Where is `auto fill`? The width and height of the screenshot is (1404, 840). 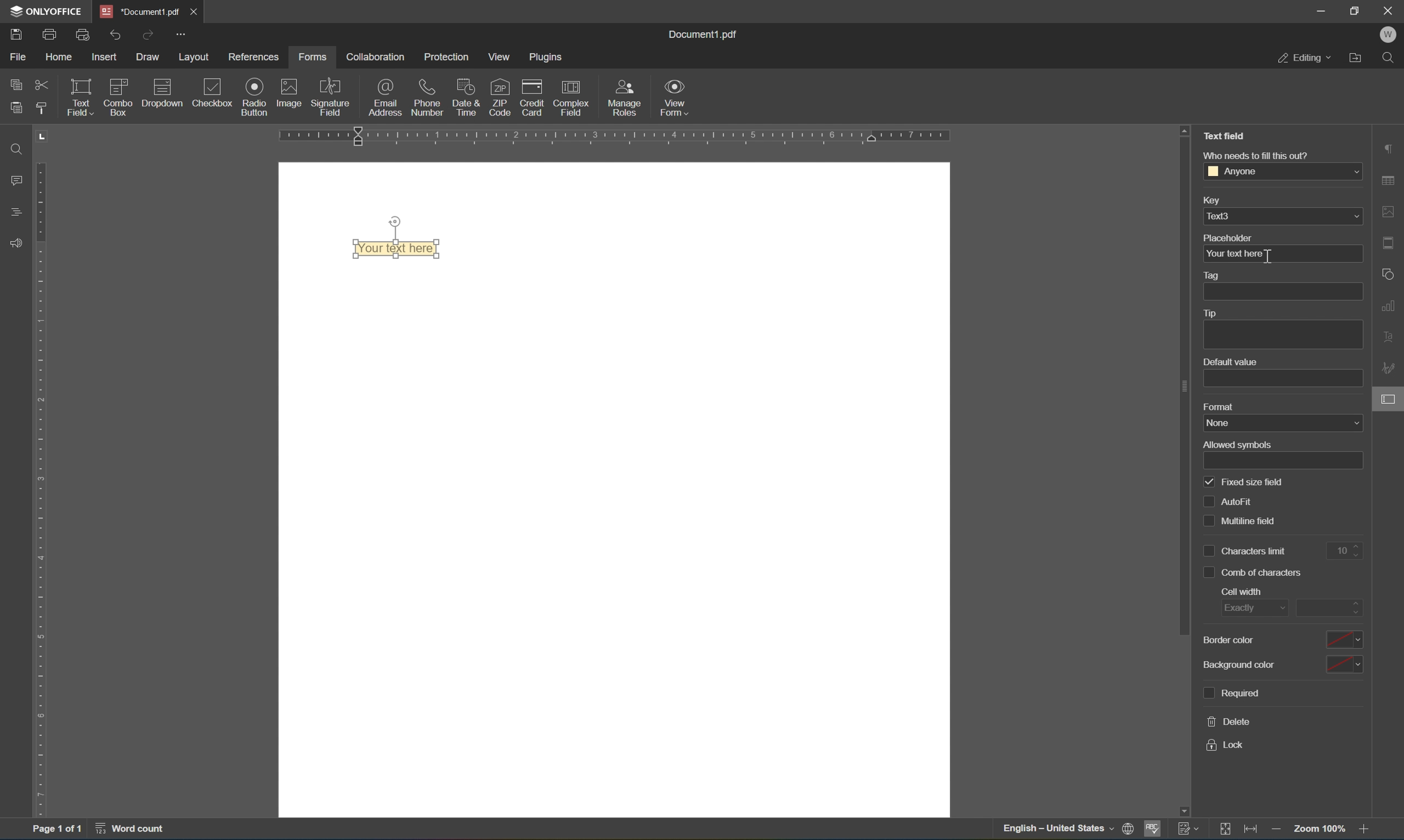
auto fill is located at coordinates (1231, 501).